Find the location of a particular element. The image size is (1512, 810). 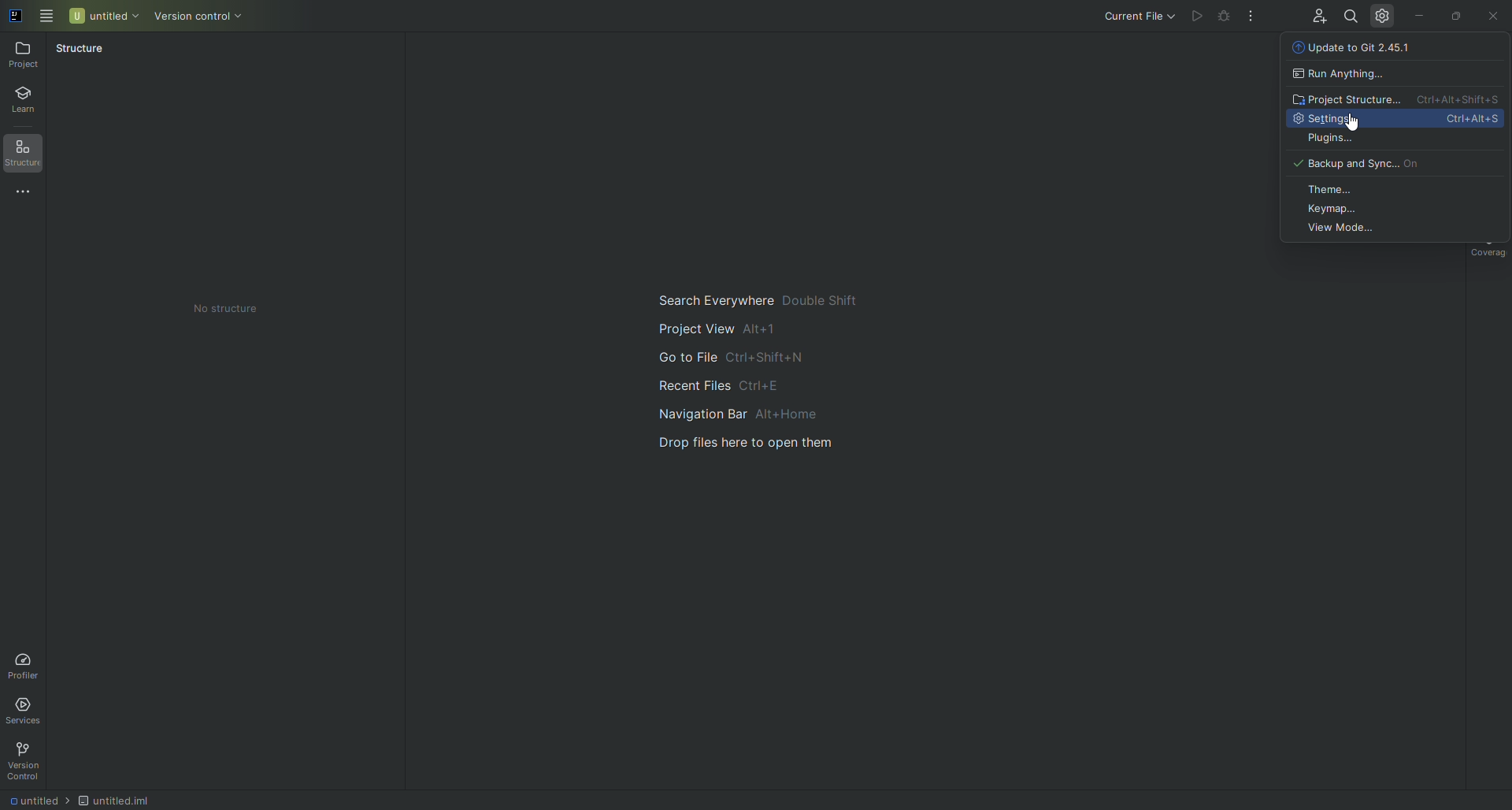

View Mode is located at coordinates (1392, 232).